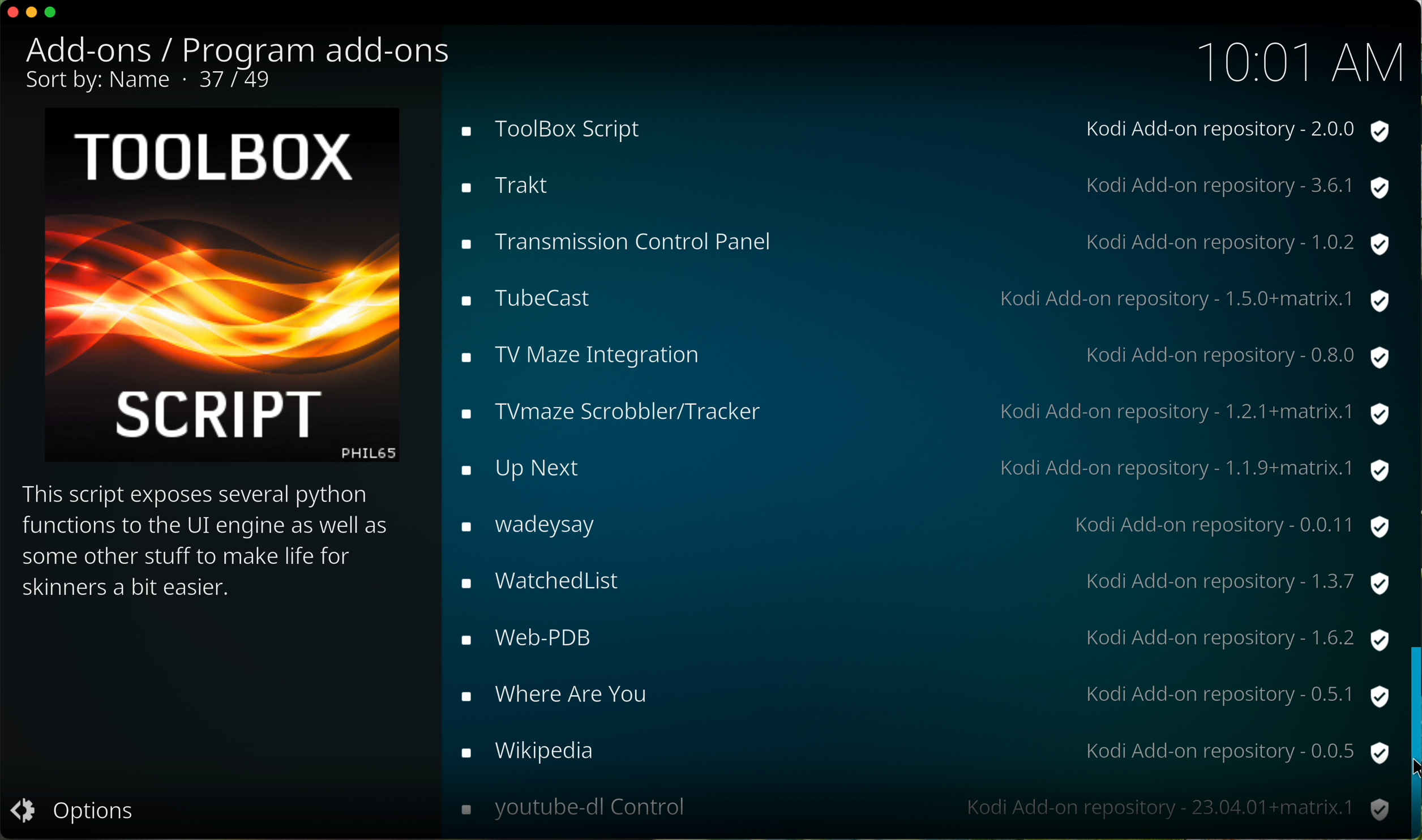  Describe the element at coordinates (212, 542) in the screenshot. I see `description` at that location.